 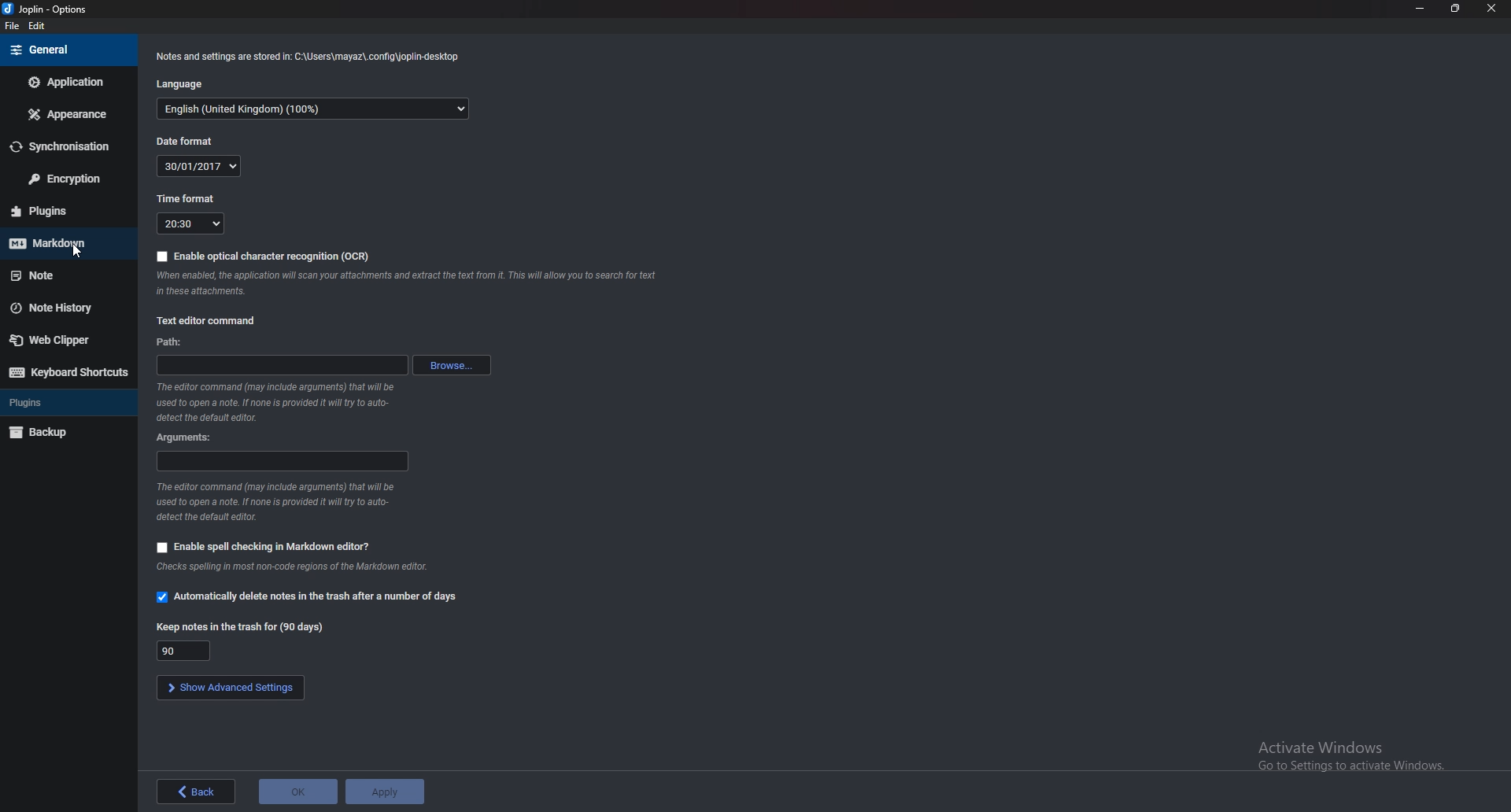 I want to click on backup, so click(x=59, y=433).